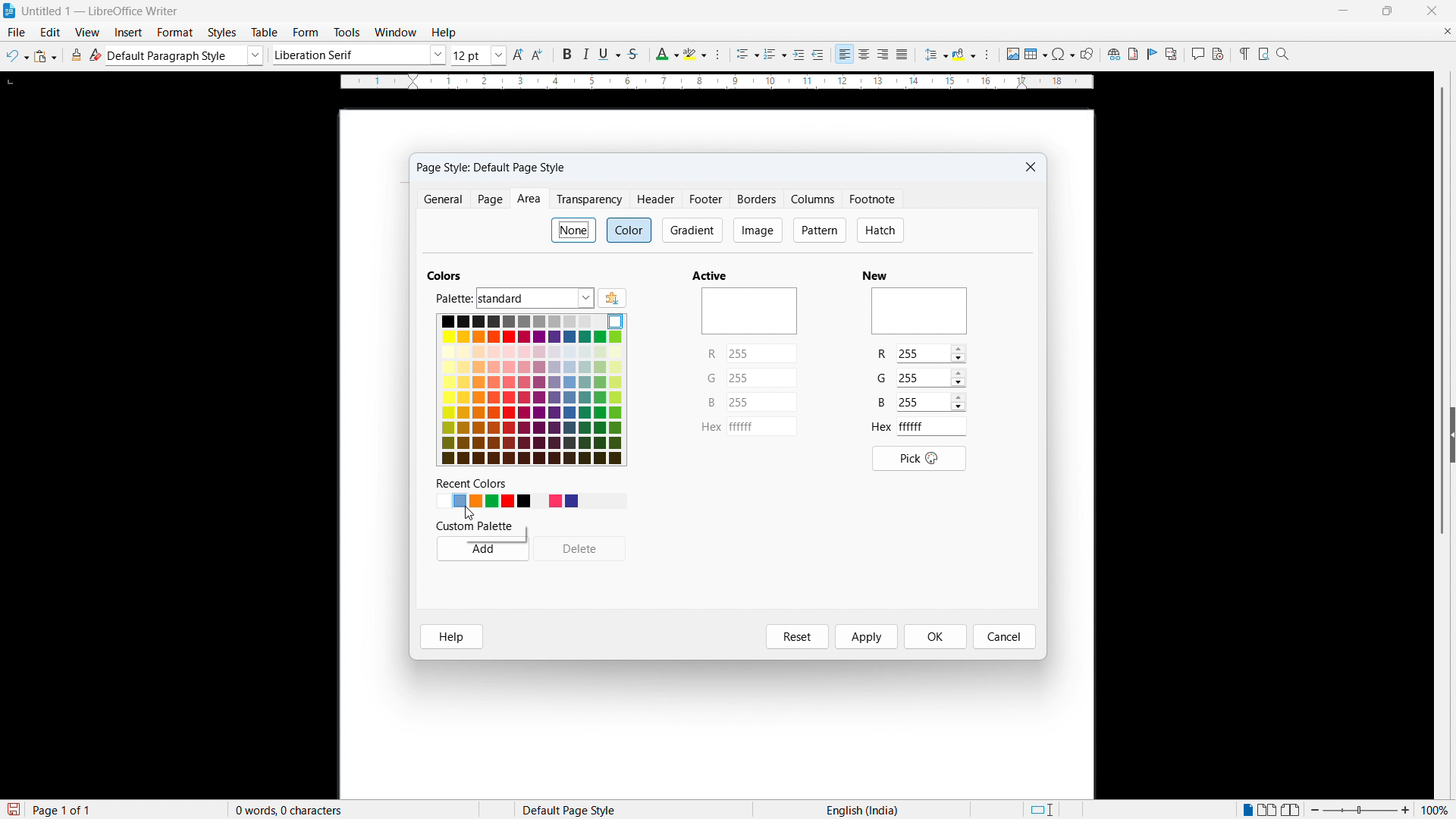 Image resolution: width=1456 pixels, height=819 pixels. Describe the element at coordinates (129, 33) in the screenshot. I see `Insert ` at that location.